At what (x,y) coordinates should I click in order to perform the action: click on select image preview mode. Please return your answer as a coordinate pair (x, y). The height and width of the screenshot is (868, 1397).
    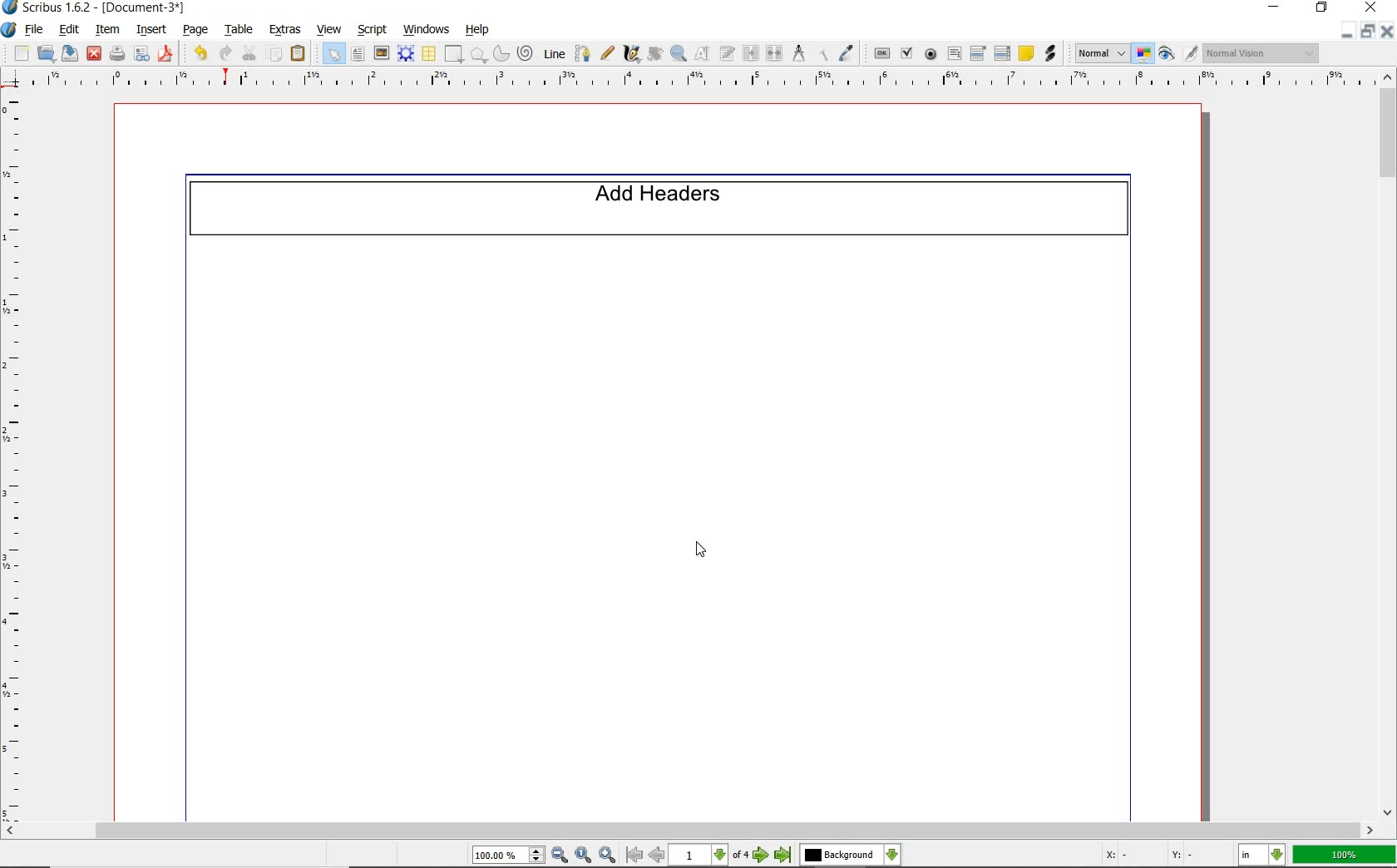
    Looking at the image, I should click on (1100, 55).